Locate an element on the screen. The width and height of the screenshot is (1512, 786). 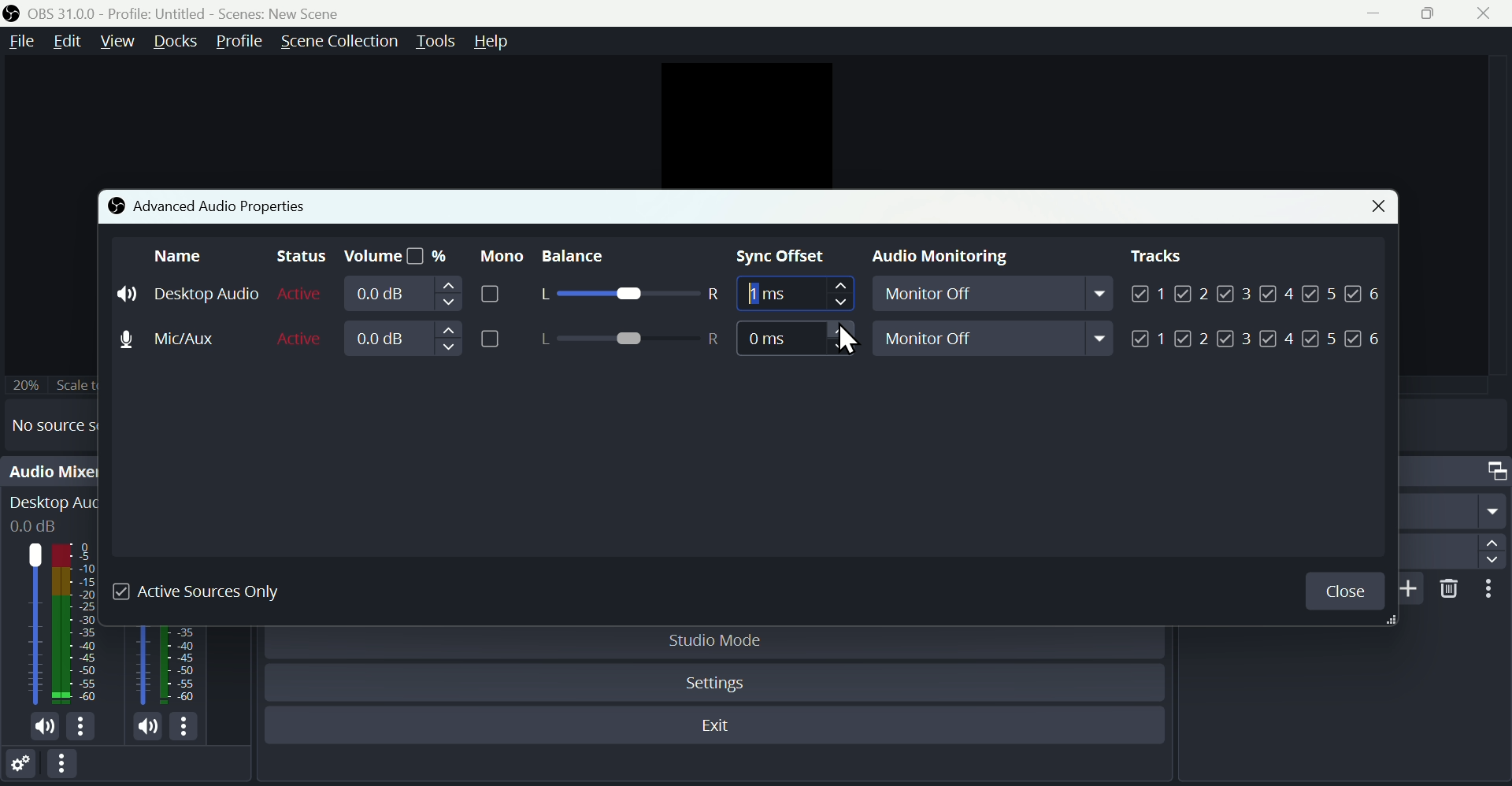
(un)check Track 3 is located at coordinates (1235, 292).